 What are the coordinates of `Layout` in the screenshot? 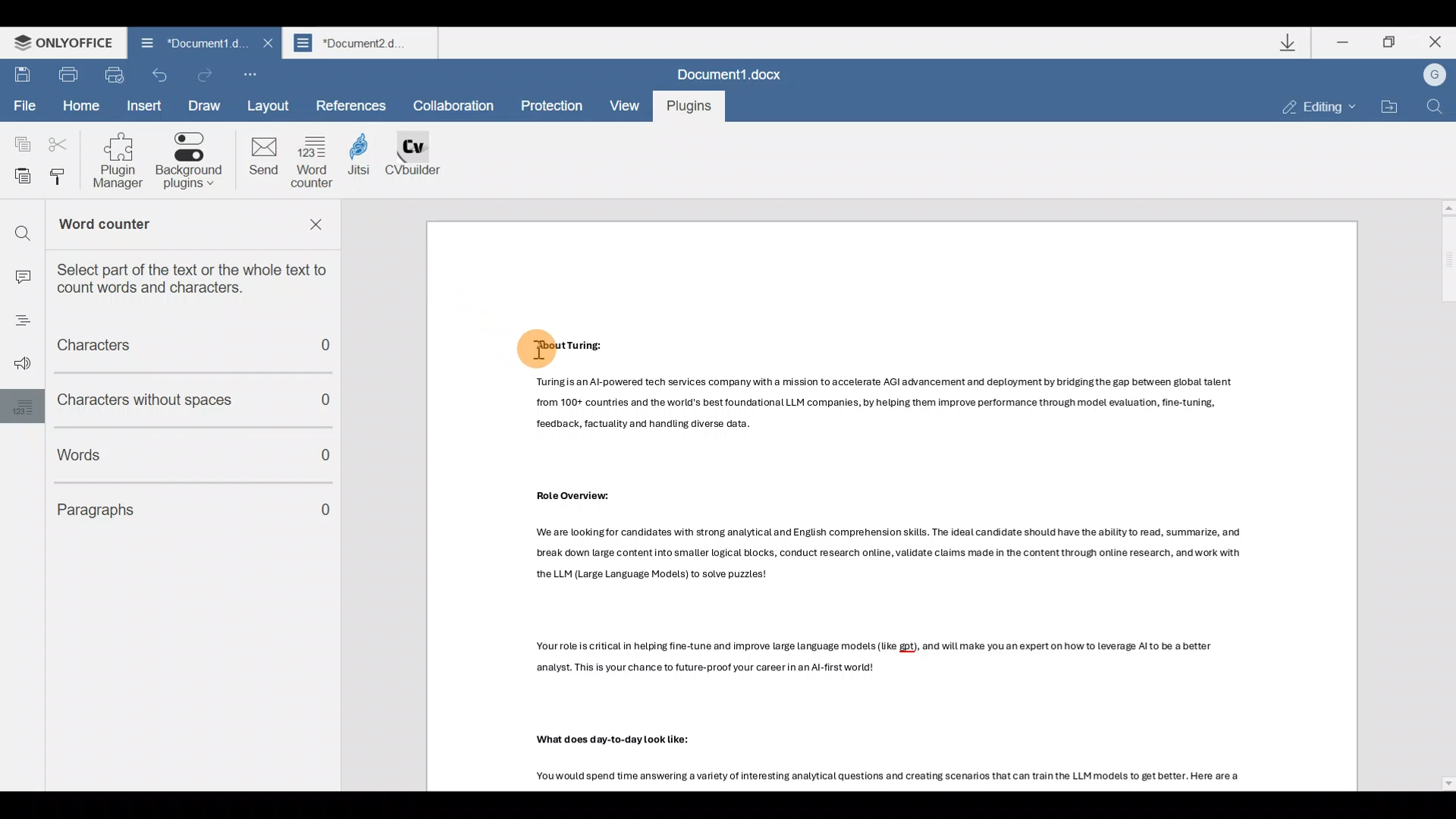 It's located at (274, 104).